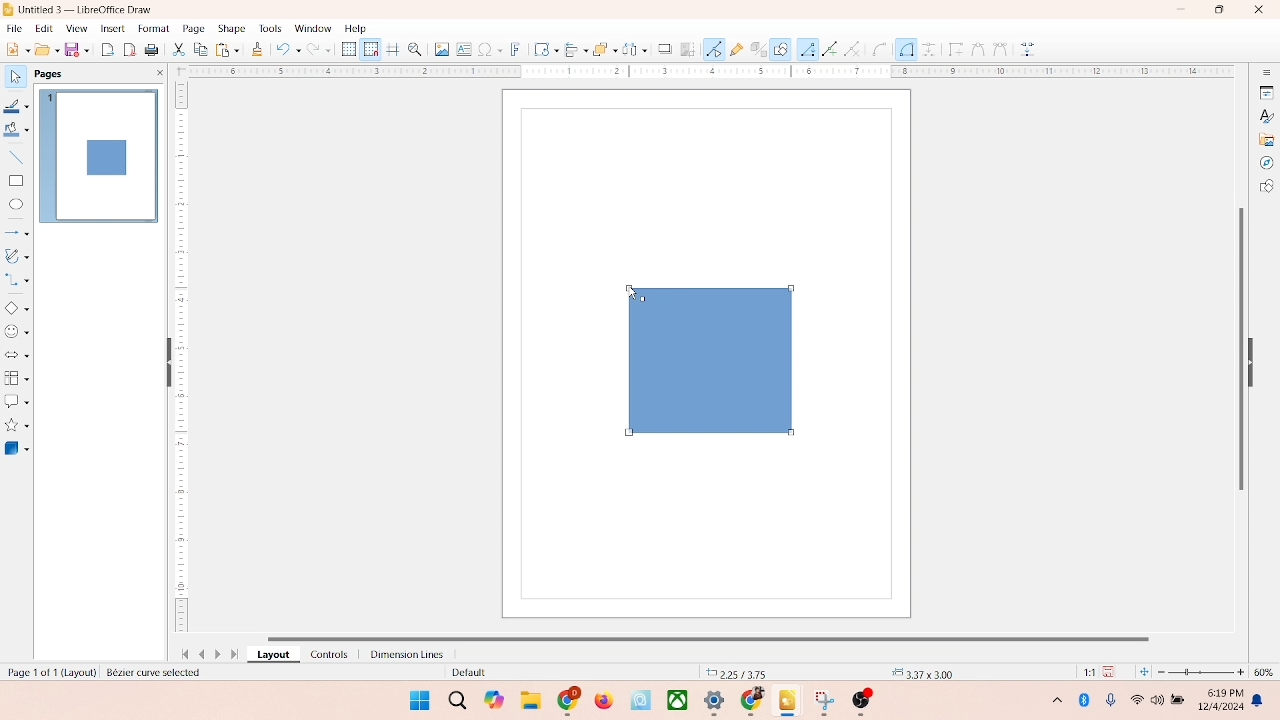 This screenshot has height=720, width=1280. What do you see at coordinates (1143, 672) in the screenshot?
I see `fit to current window` at bounding box center [1143, 672].